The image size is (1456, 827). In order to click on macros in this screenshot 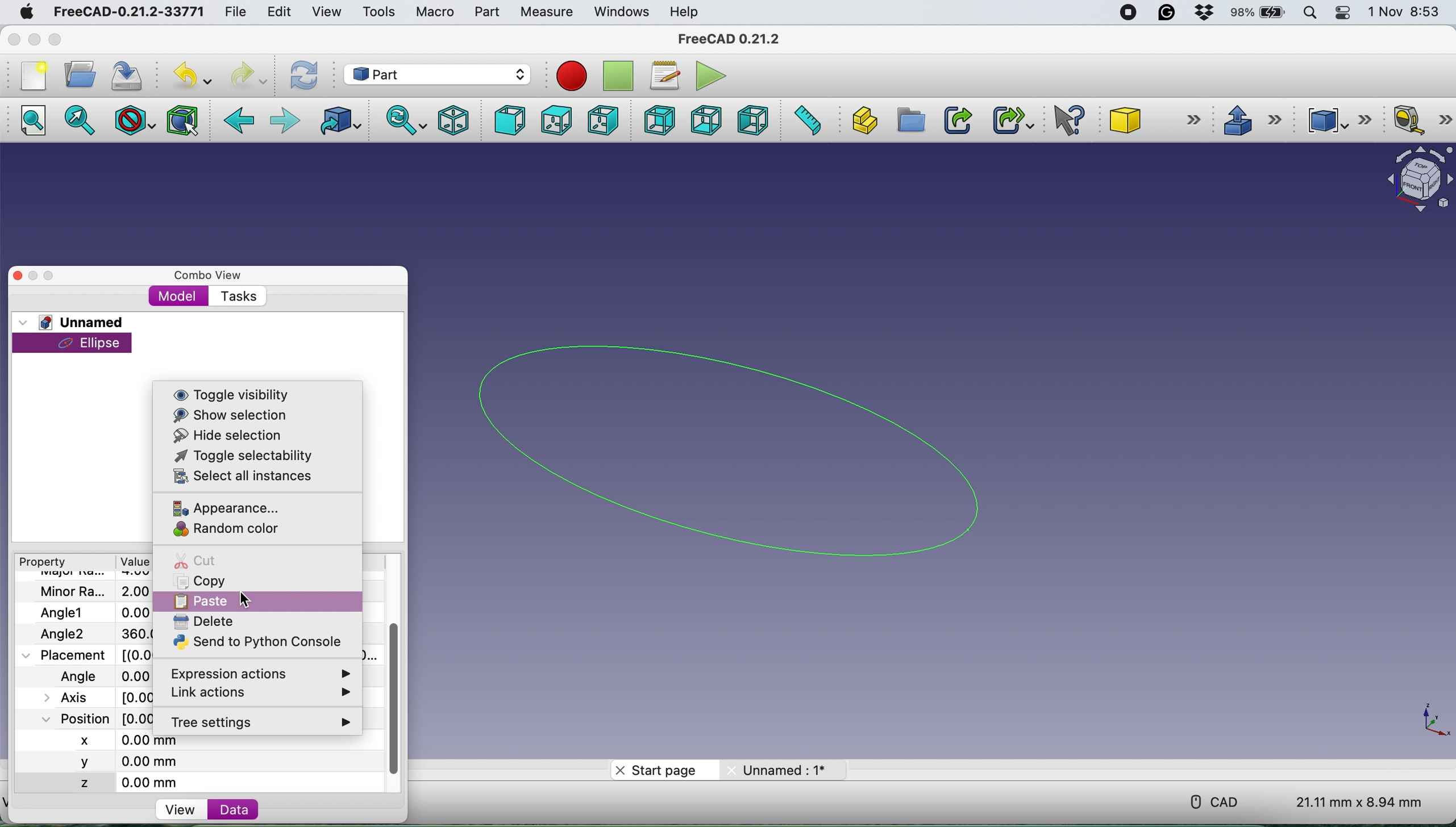, I will do `click(664, 74)`.